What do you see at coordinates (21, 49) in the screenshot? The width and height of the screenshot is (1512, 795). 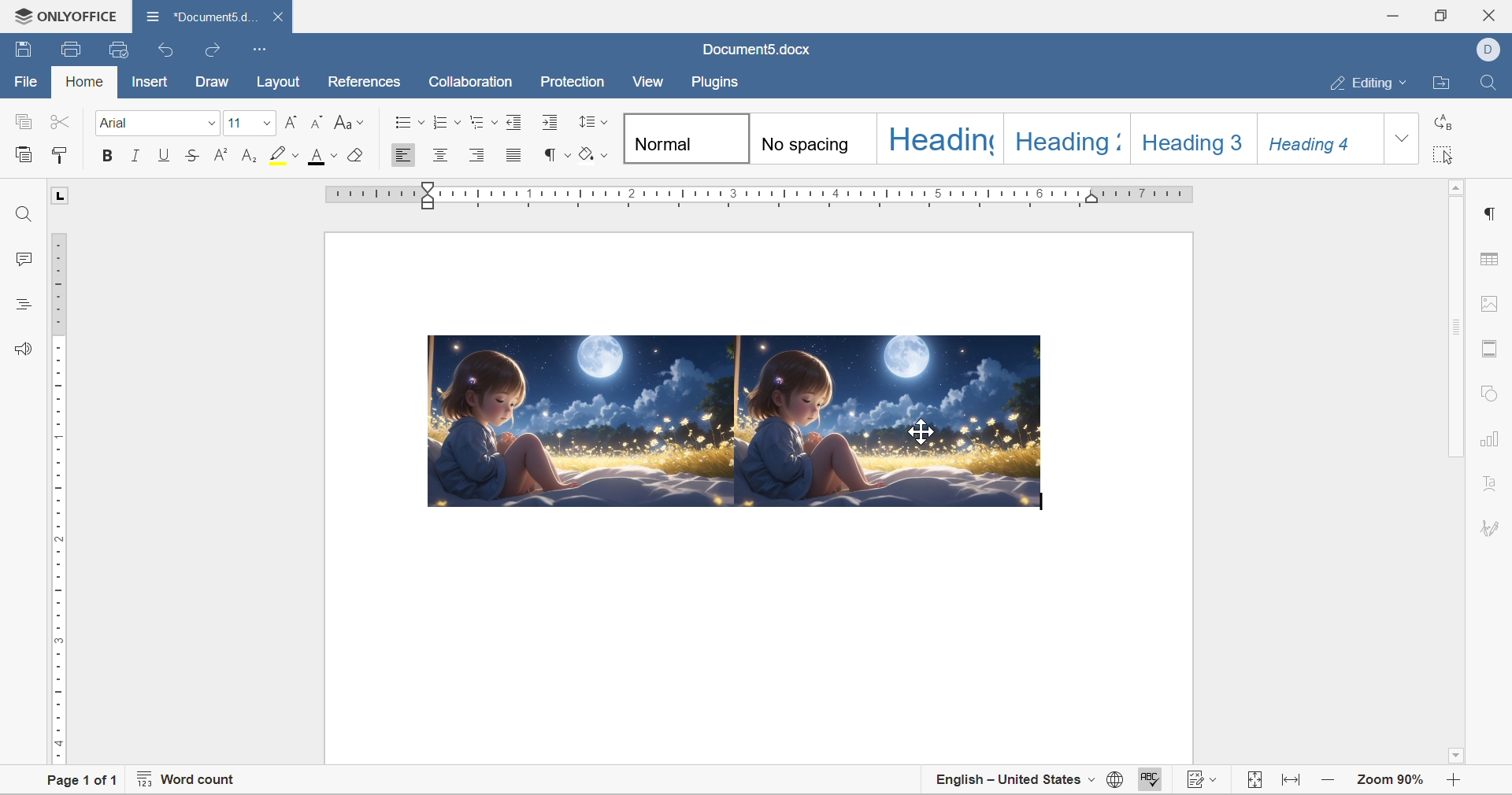 I see `save` at bounding box center [21, 49].